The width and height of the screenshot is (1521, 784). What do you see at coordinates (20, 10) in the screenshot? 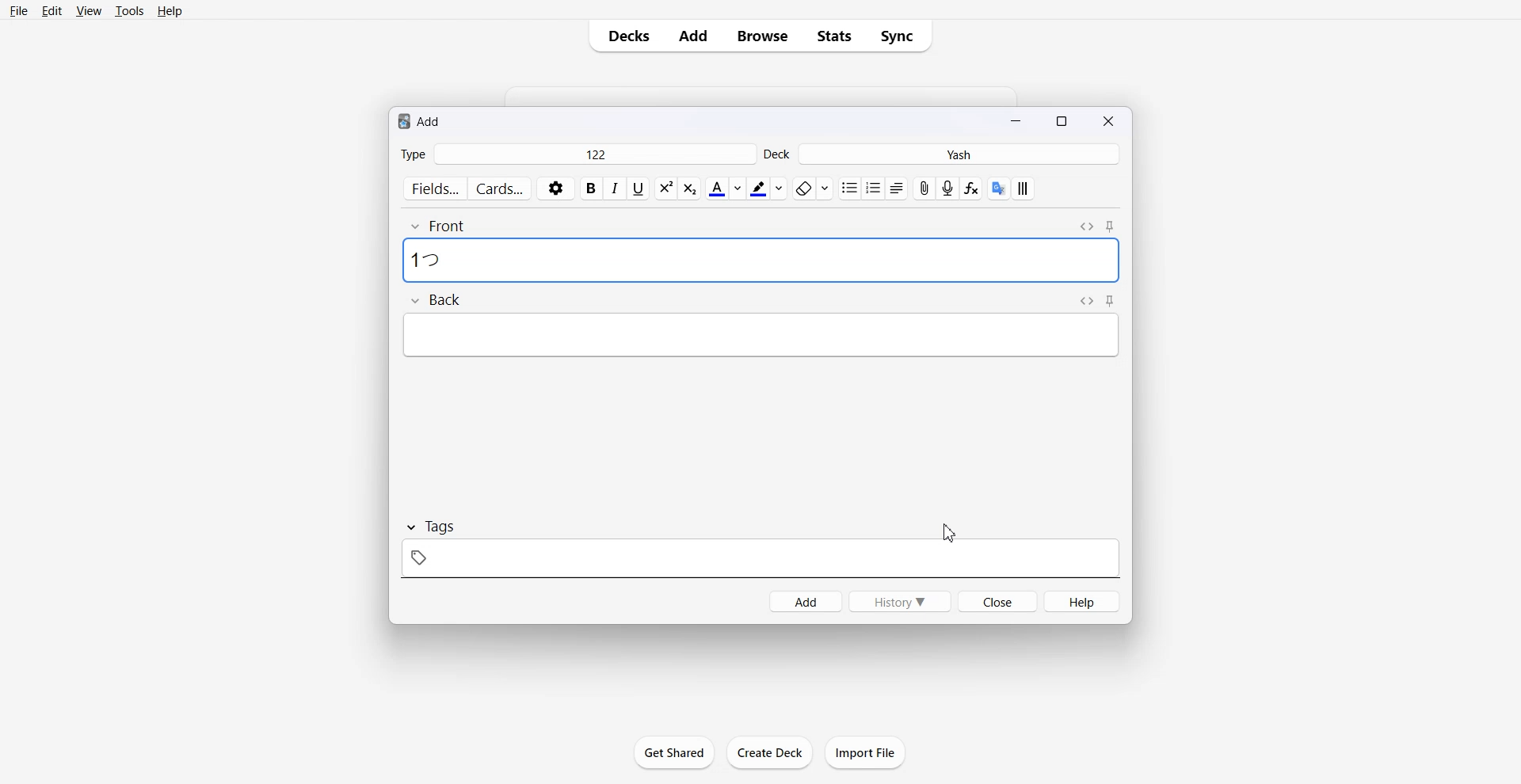
I see `File` at bounding box center [20, 10].